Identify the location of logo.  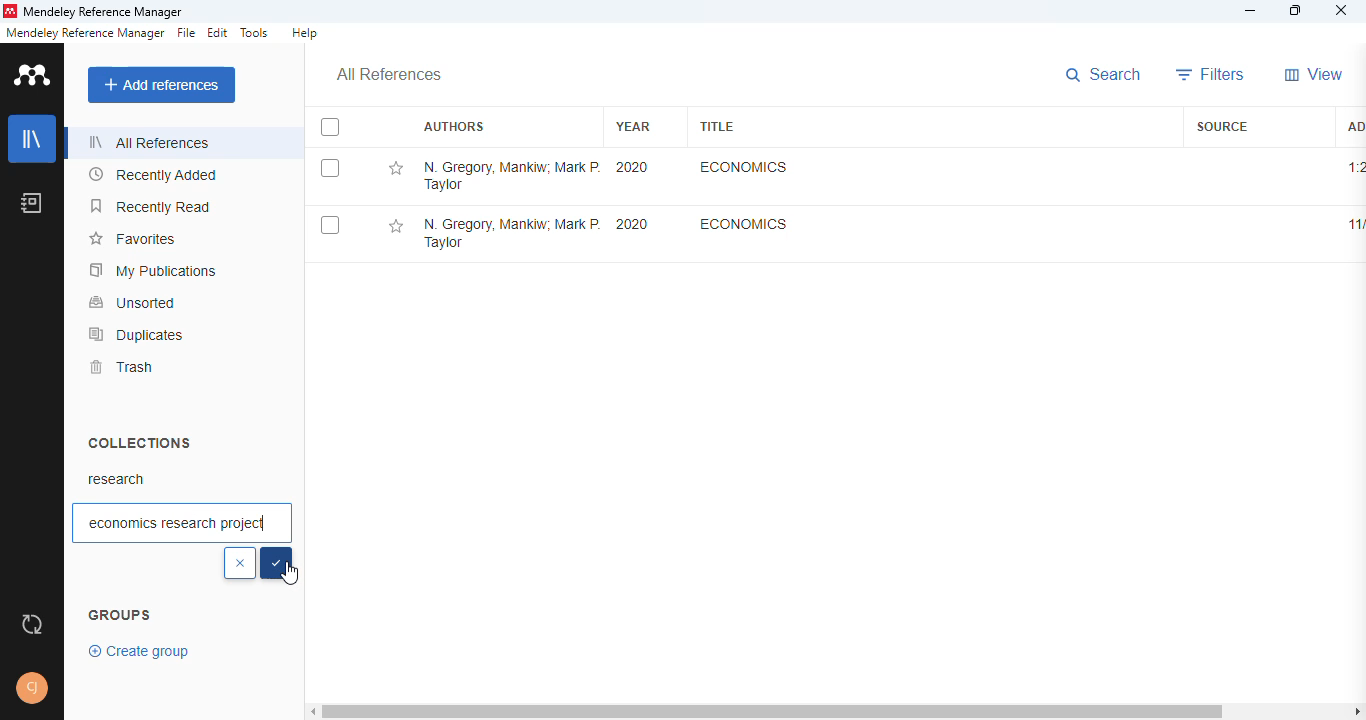
(34, 74).